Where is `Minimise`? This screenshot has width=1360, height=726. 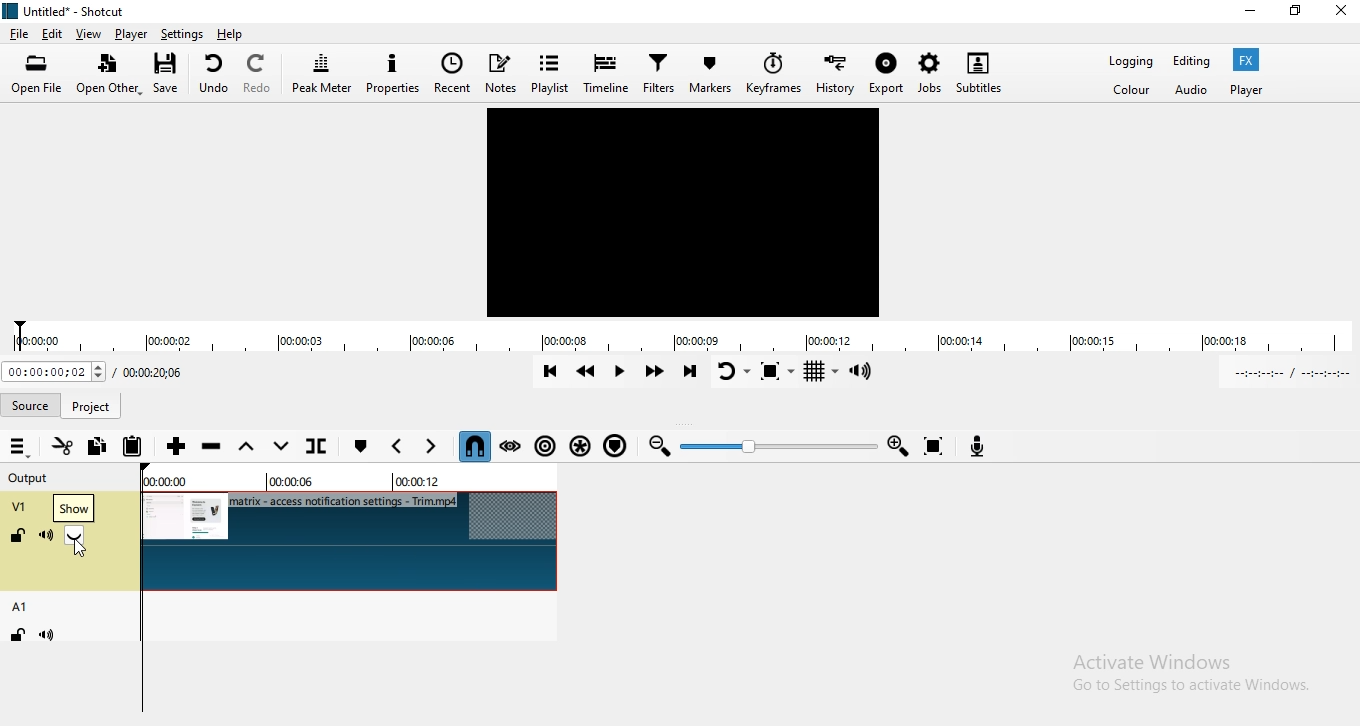 Minimise is located at coordinates (1246, 12).